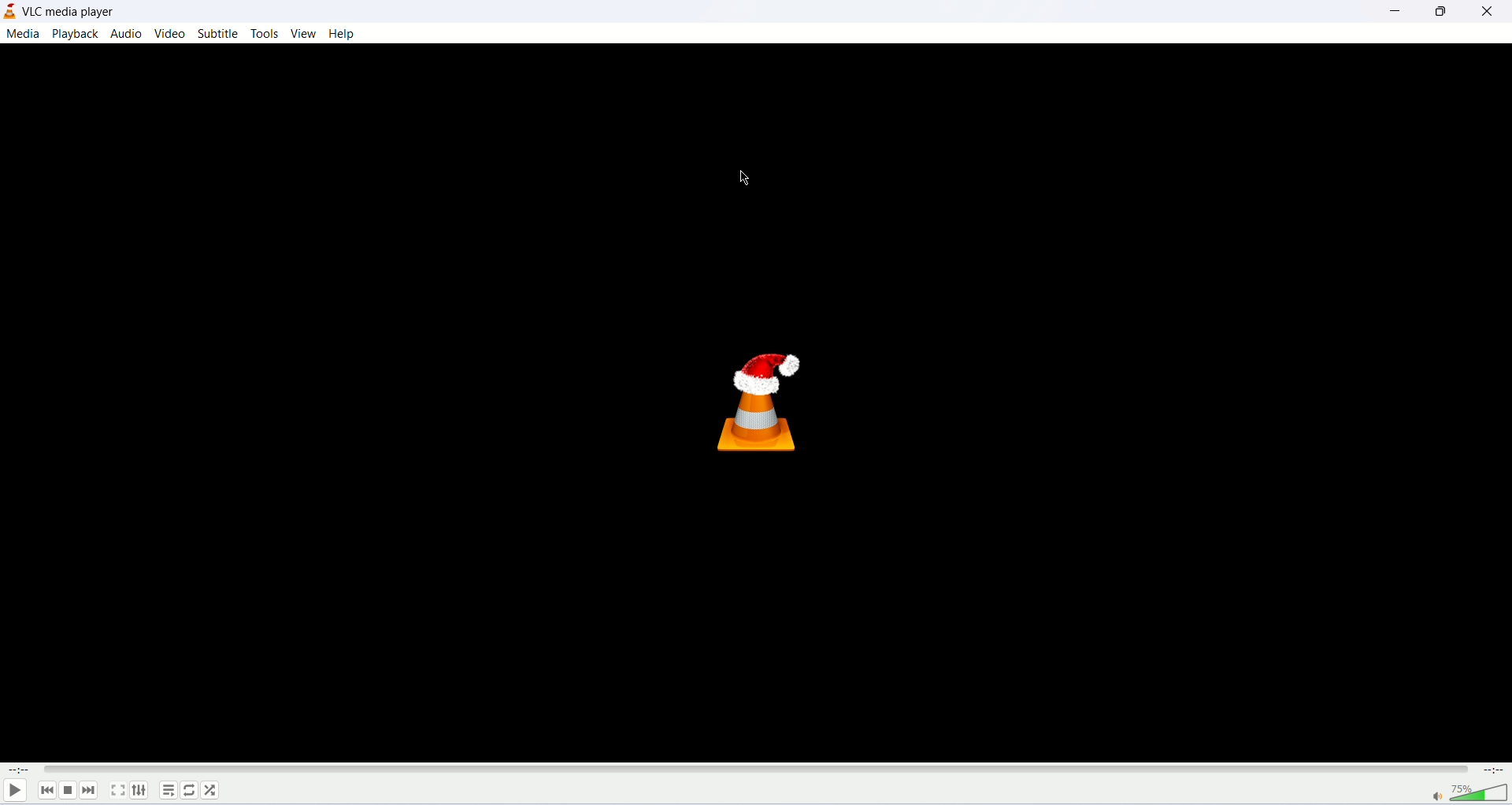 The image size is (1512, 805). Describe the element at coordinates (743, 180) in the screenshot. I see `cursor` at that location.